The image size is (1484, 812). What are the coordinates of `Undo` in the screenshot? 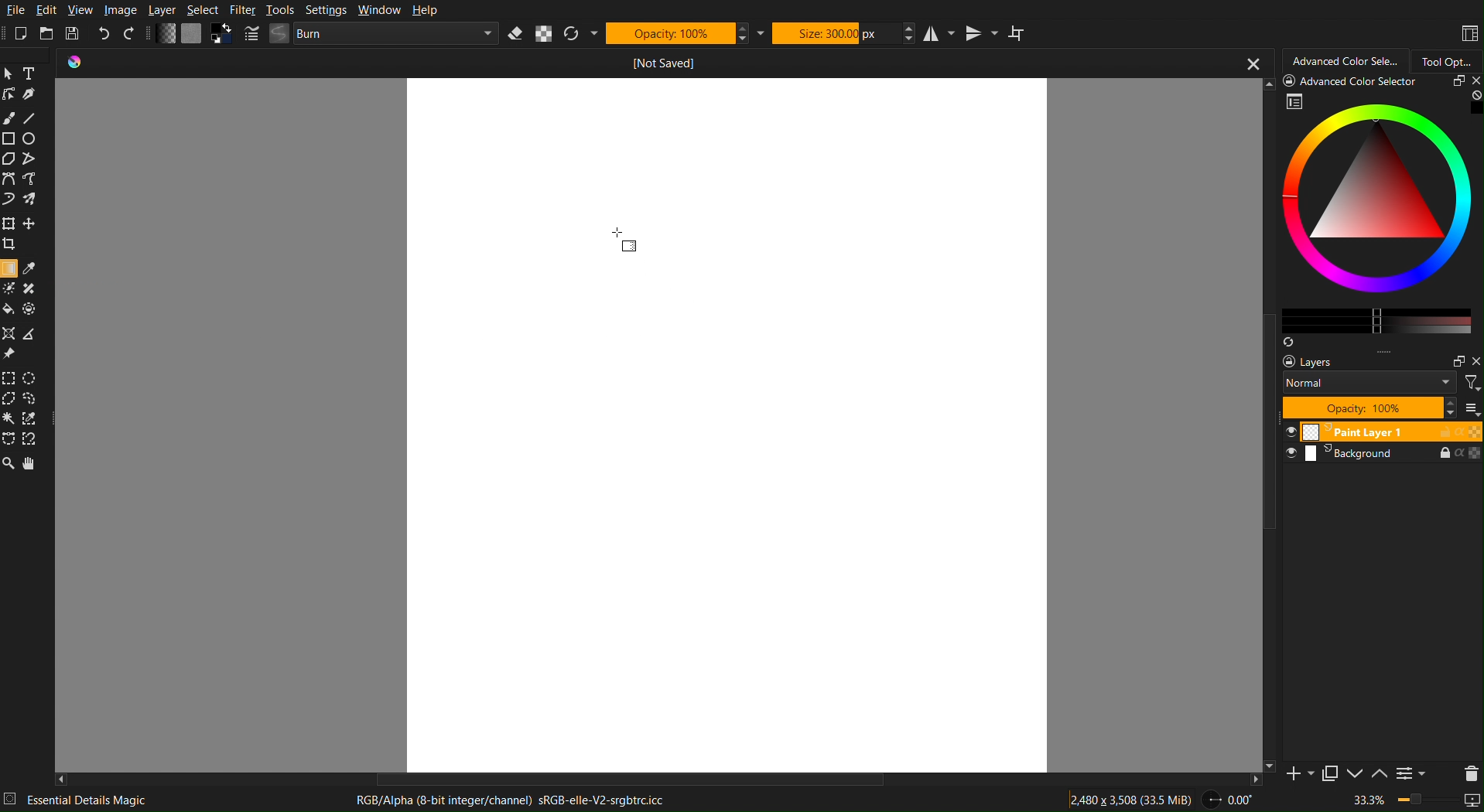 It's located at (105, 34).